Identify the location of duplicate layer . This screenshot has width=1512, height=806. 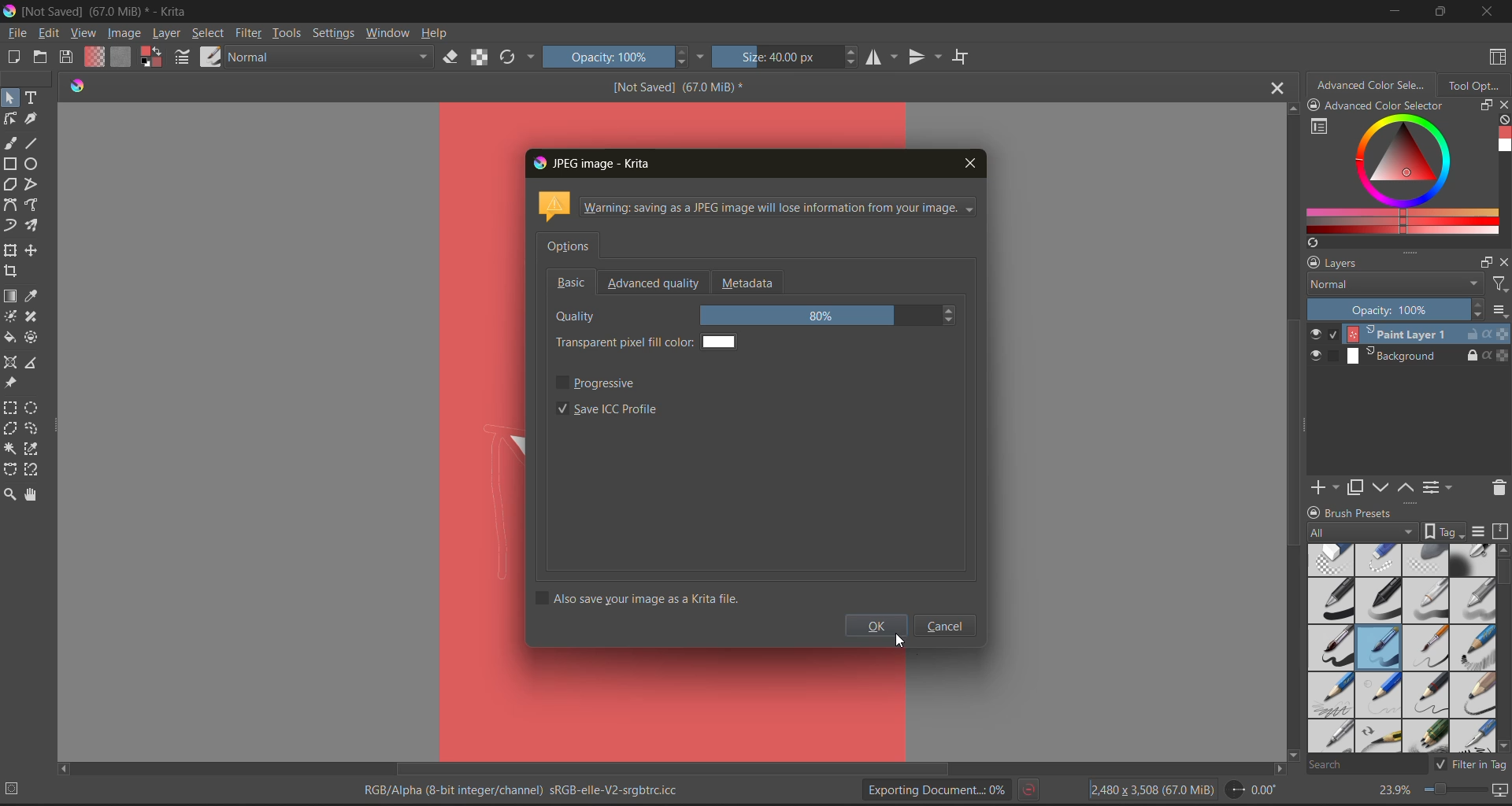
(1363, 490).